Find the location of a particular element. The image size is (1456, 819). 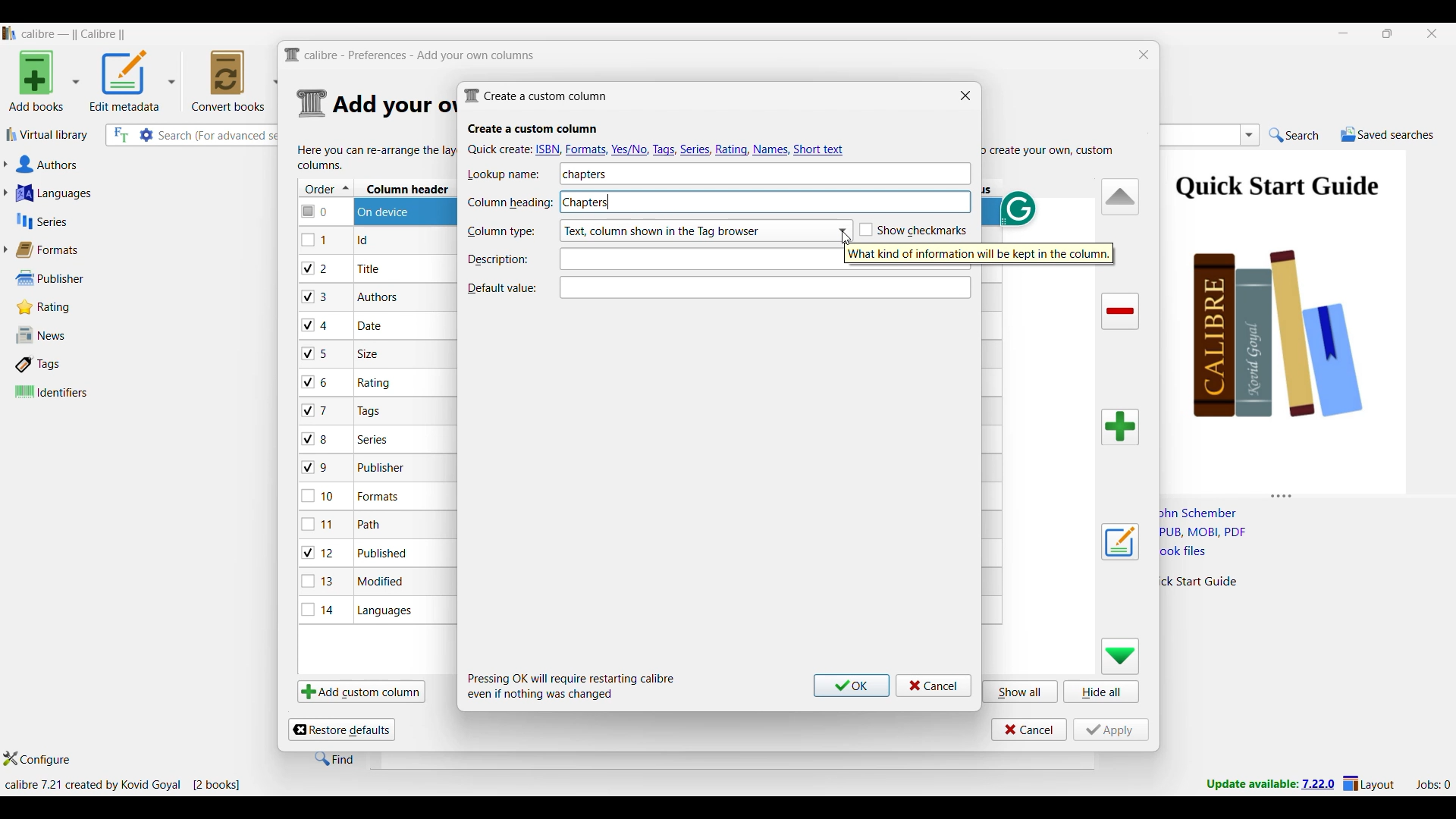

Close window is located at coordinates (965, 95).